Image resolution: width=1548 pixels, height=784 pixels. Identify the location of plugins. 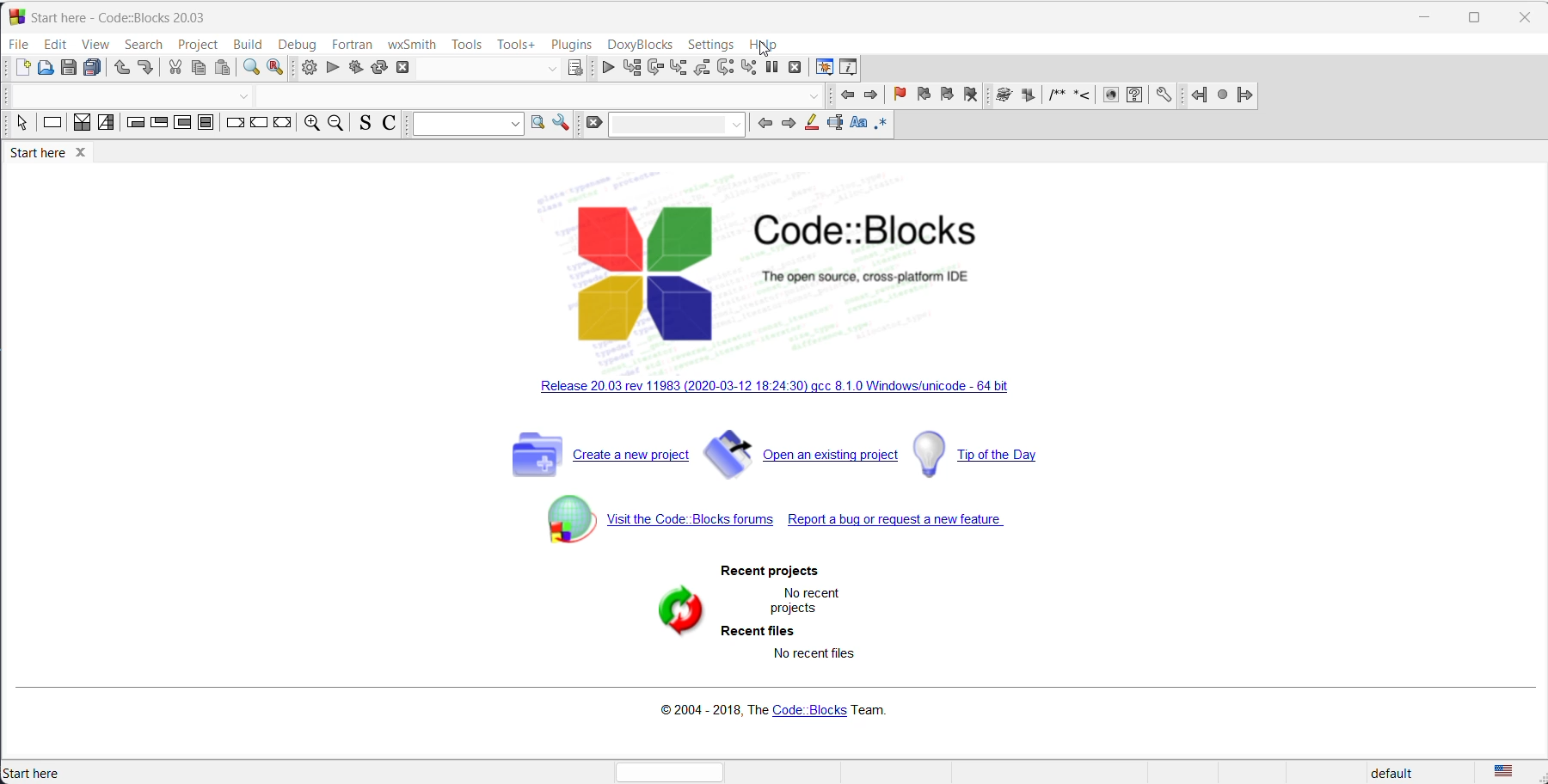
(570, 44).